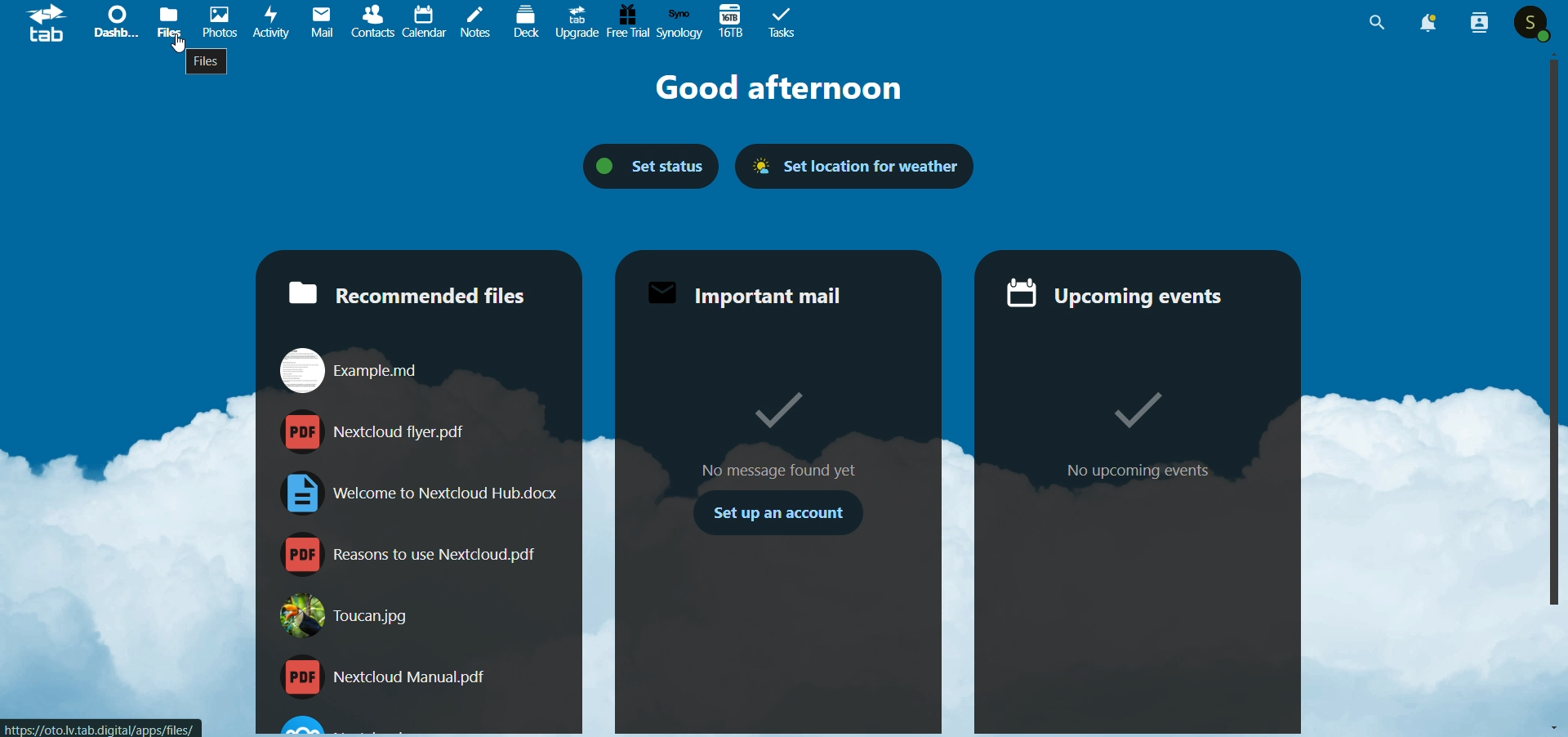 The image size is (1568, 737). Describe the element at coordinates (627, 23) in the screenshot. I see `free trial` at that location.